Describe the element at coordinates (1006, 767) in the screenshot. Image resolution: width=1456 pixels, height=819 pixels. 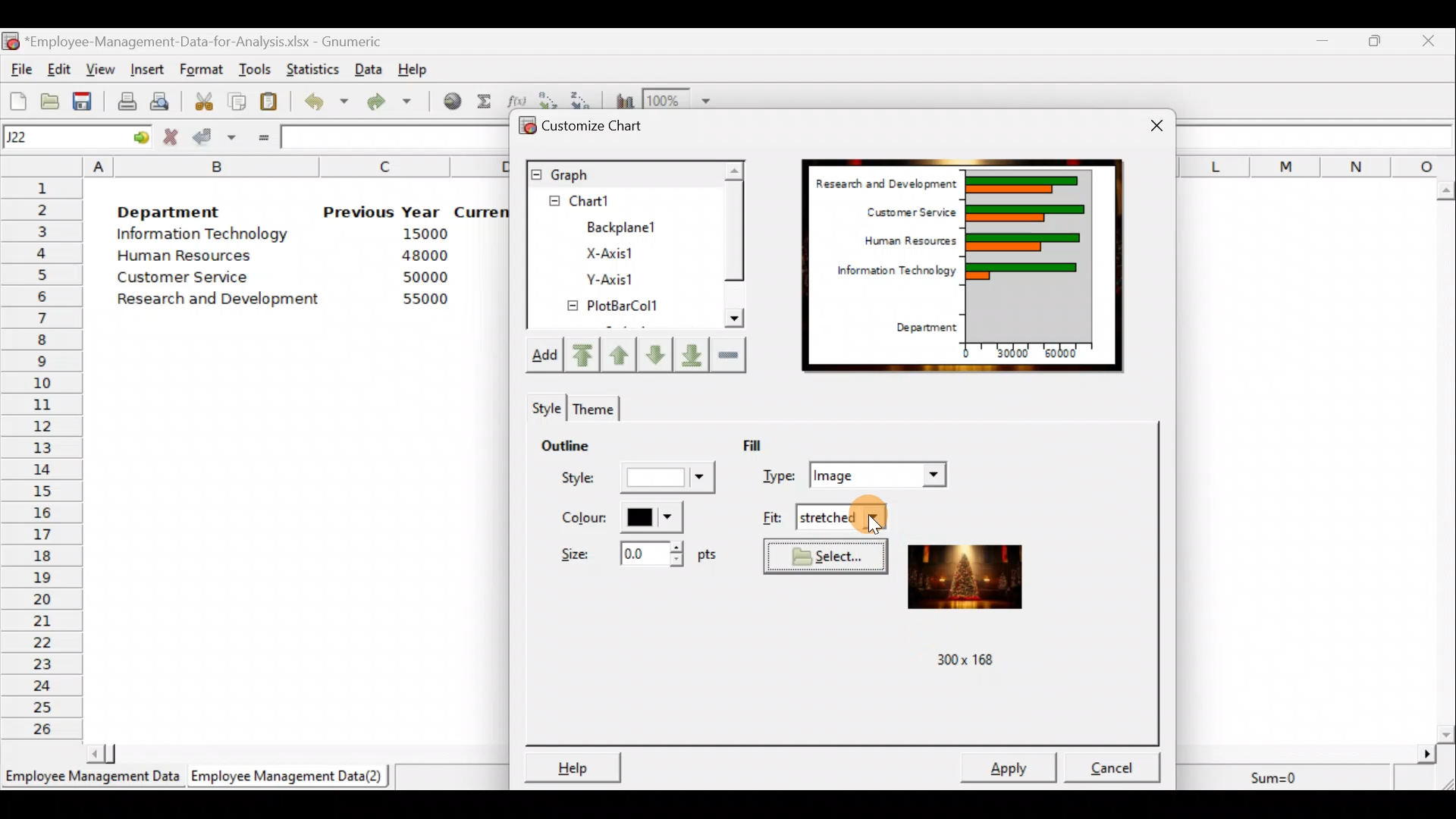
I see `Apply` at that location.